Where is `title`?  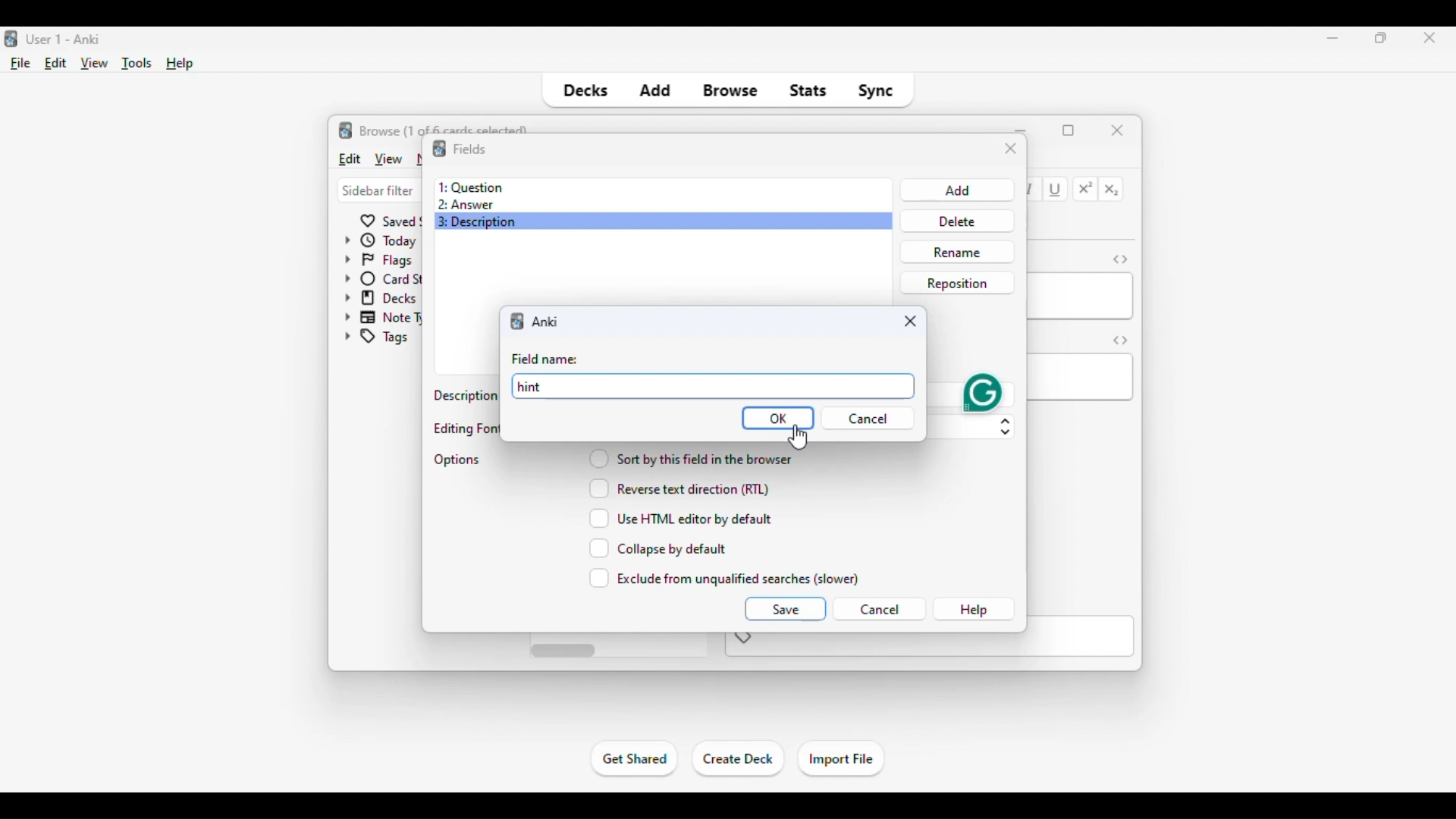 title is located at coordinates (65, 39).